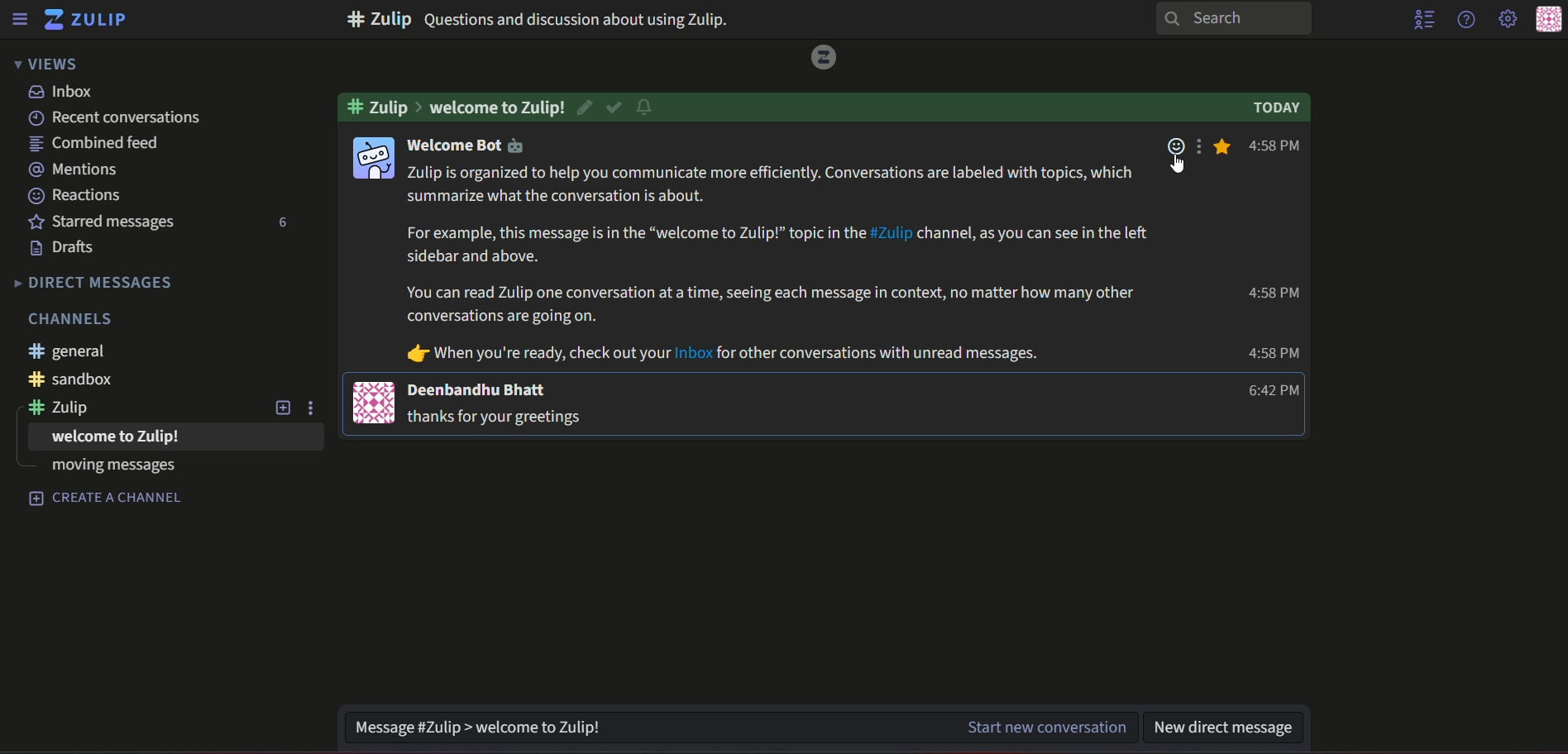  Describe the element at coordinates (67, 91) in the screenshot. I see `inbox` at that location.